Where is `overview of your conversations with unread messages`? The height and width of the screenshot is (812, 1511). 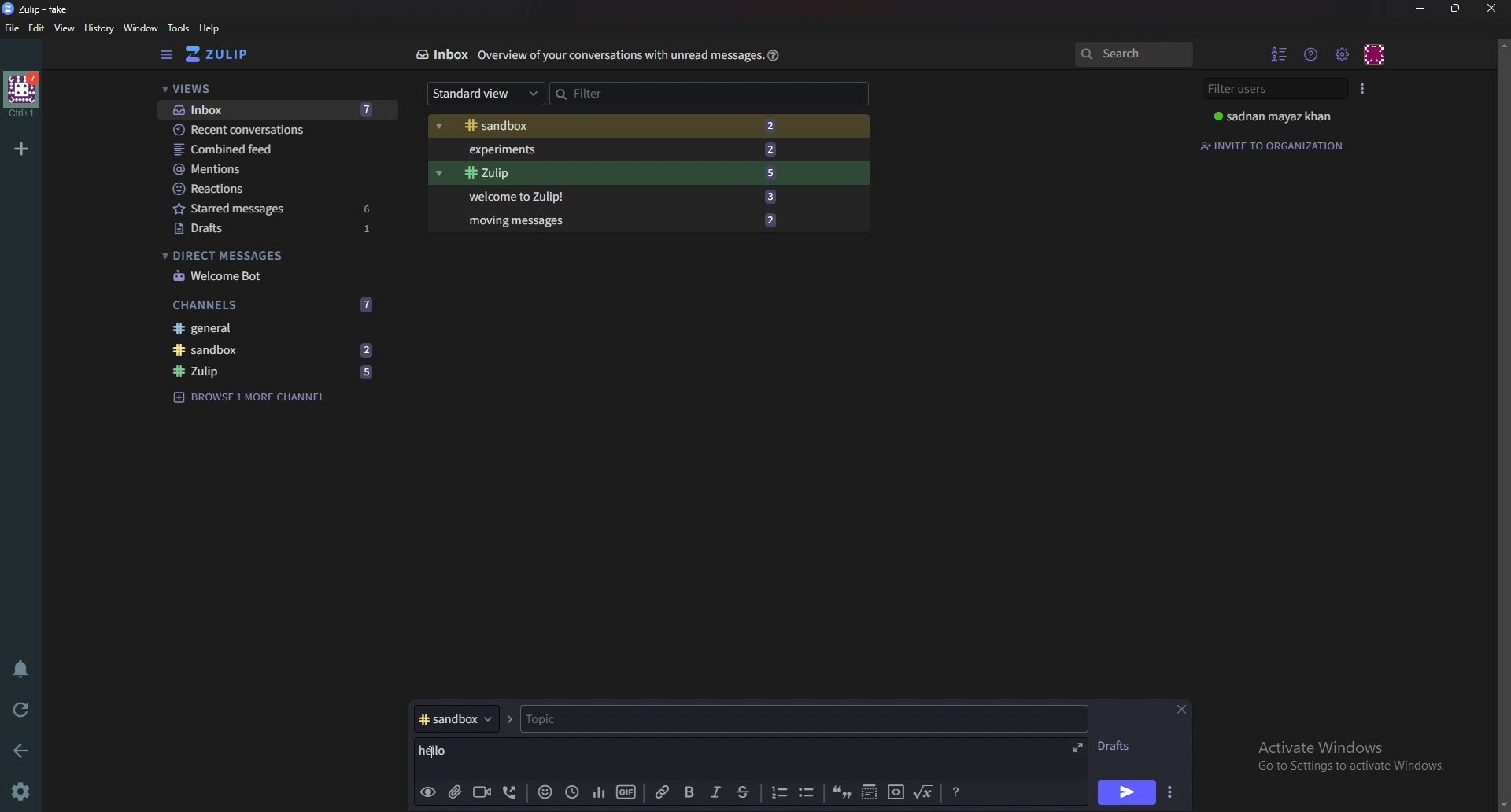
overview of your conversations with unread messages is located at coordinates (619, 55).